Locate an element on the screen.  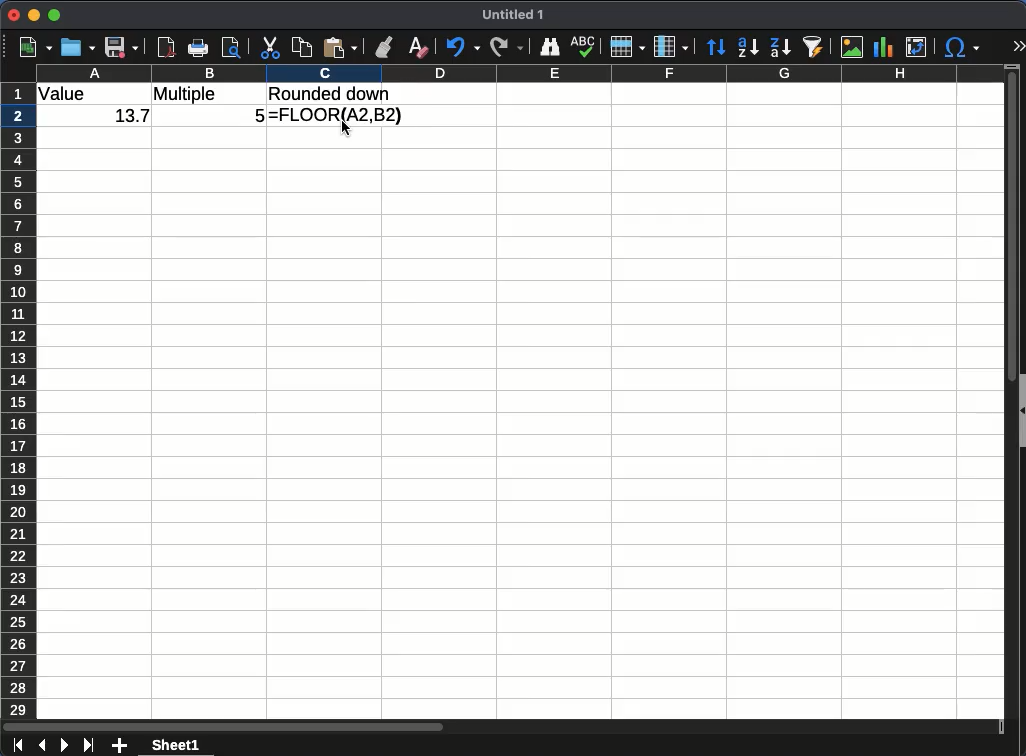
expand is located at coordinates (1018, 46).